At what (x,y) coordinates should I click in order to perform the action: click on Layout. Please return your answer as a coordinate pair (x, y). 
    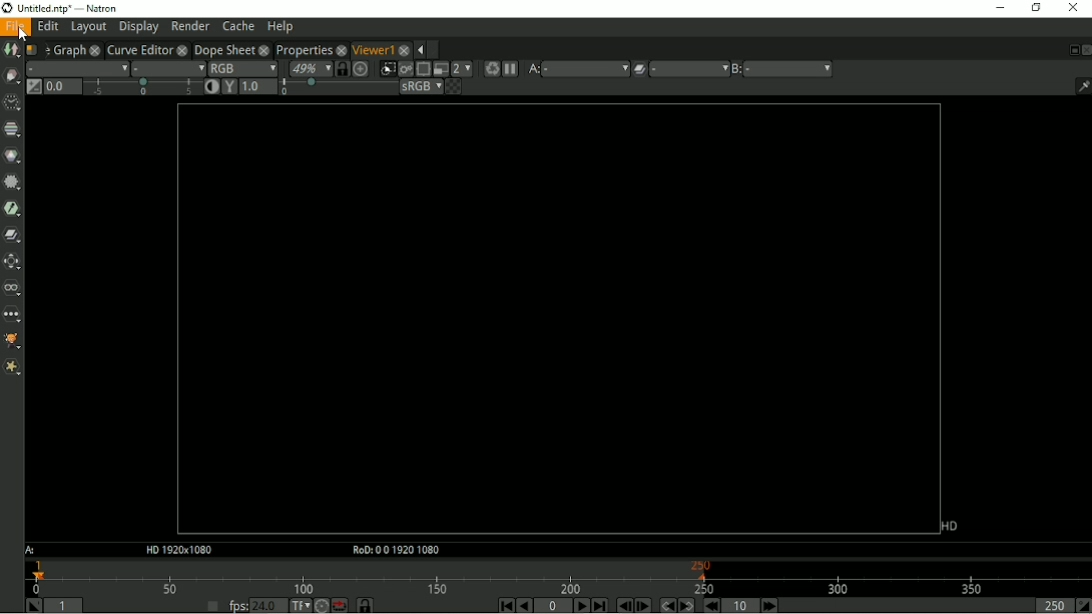
    Looking at the image, I should click on (88, 27).